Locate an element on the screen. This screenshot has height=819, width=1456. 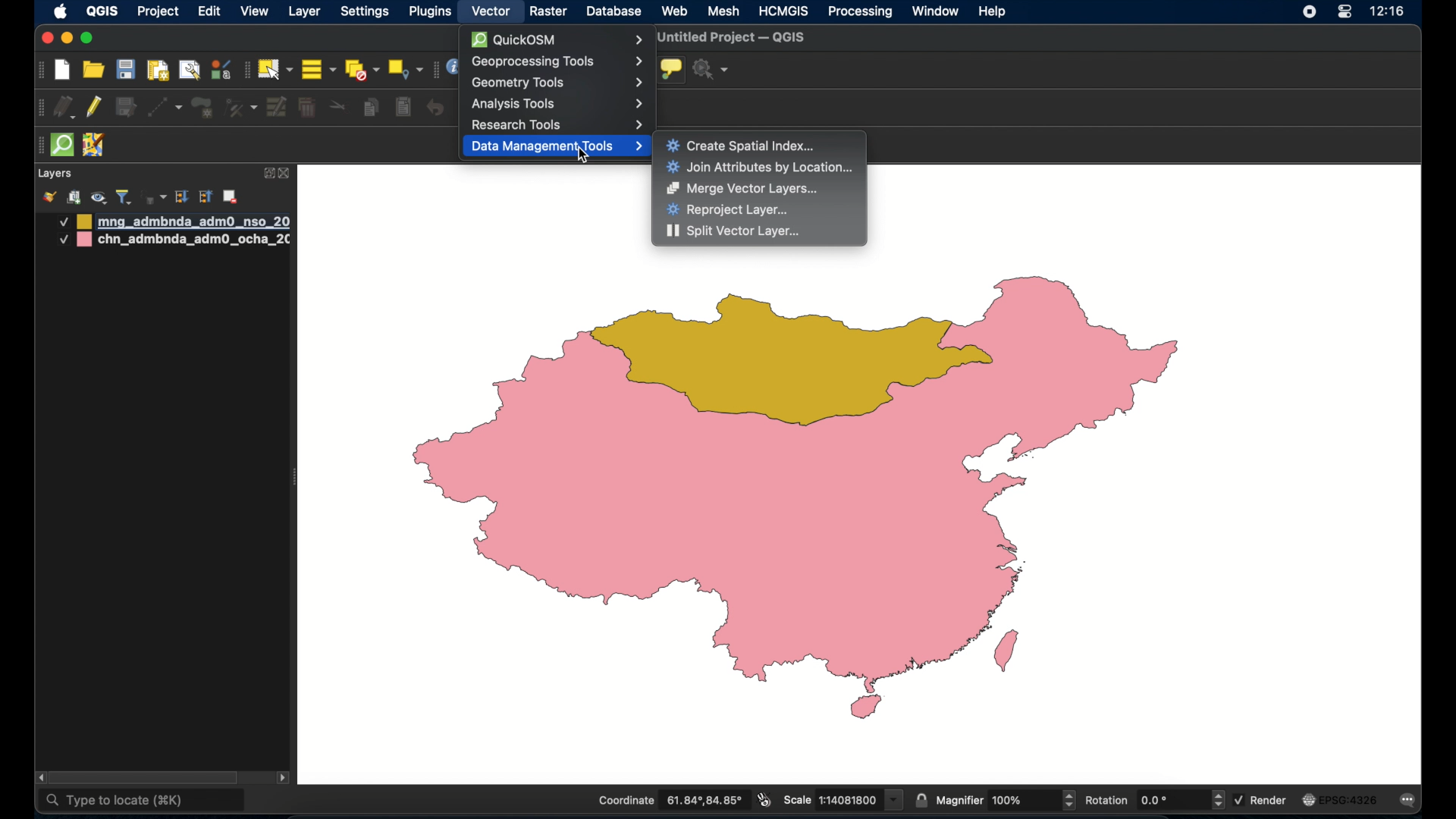
digitizing toolbar is located at coordinates (42, 110).